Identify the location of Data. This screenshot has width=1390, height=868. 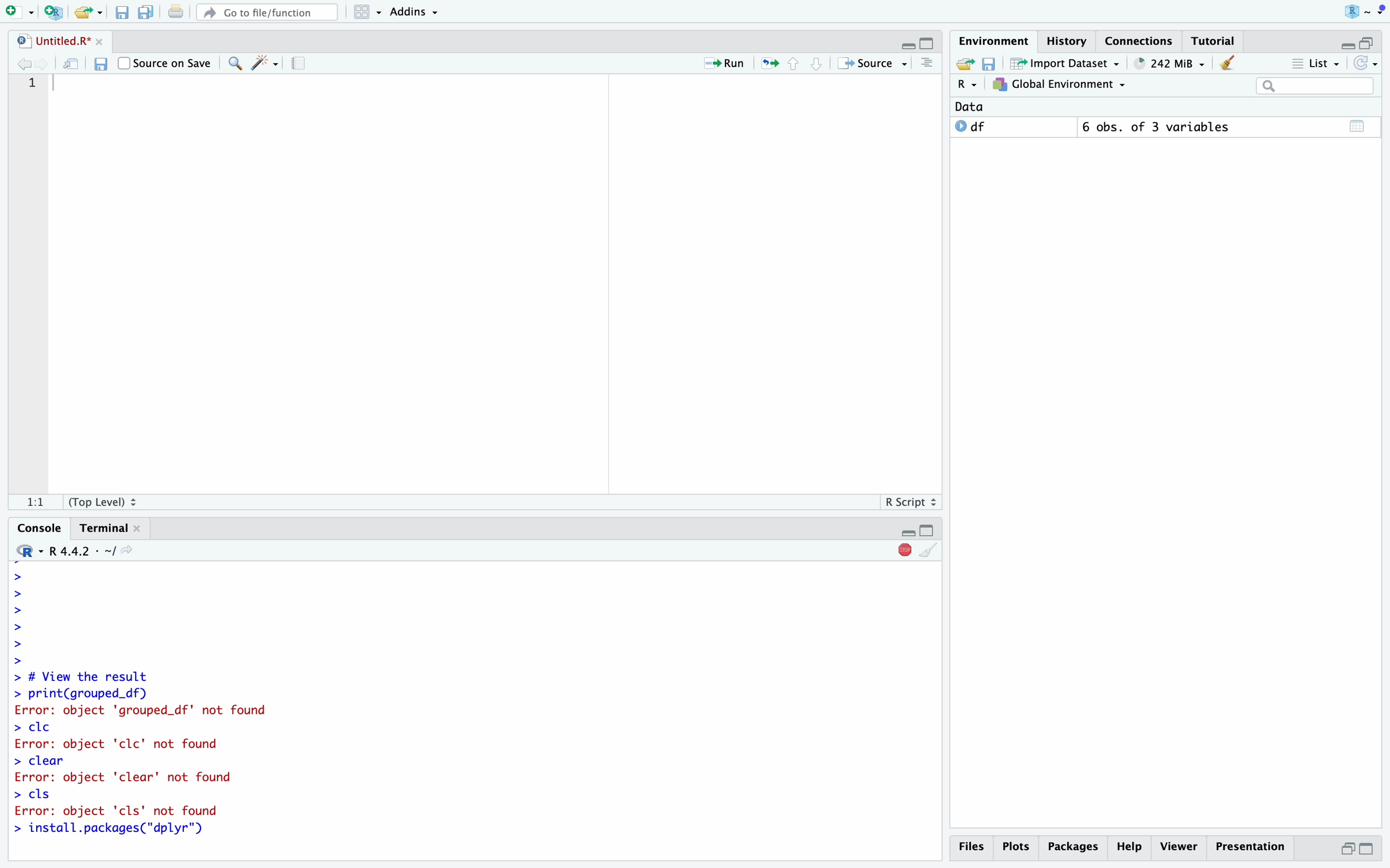
(978, 107).